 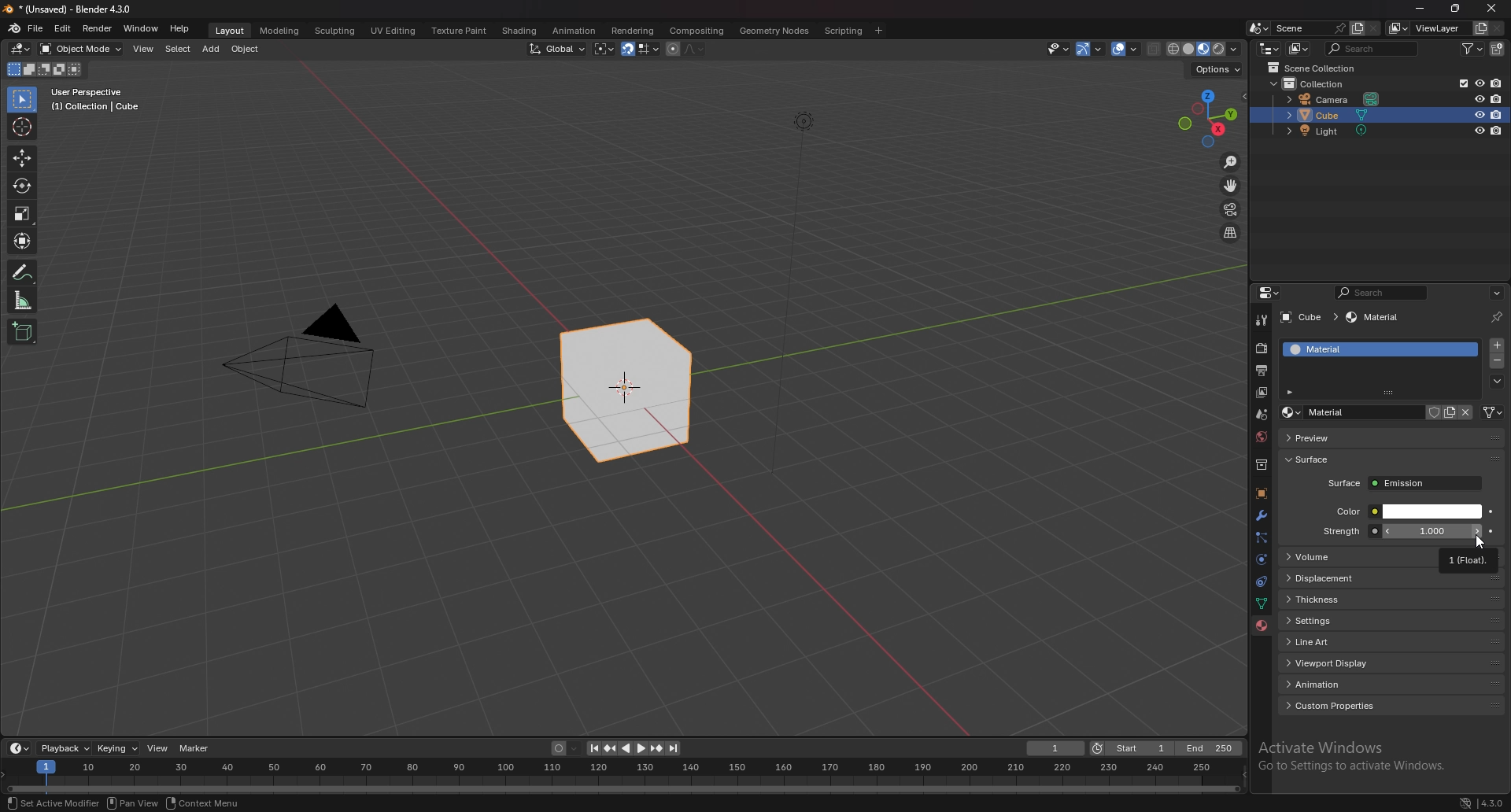 I want to click on delete scene, so click(x=1374, y=29).